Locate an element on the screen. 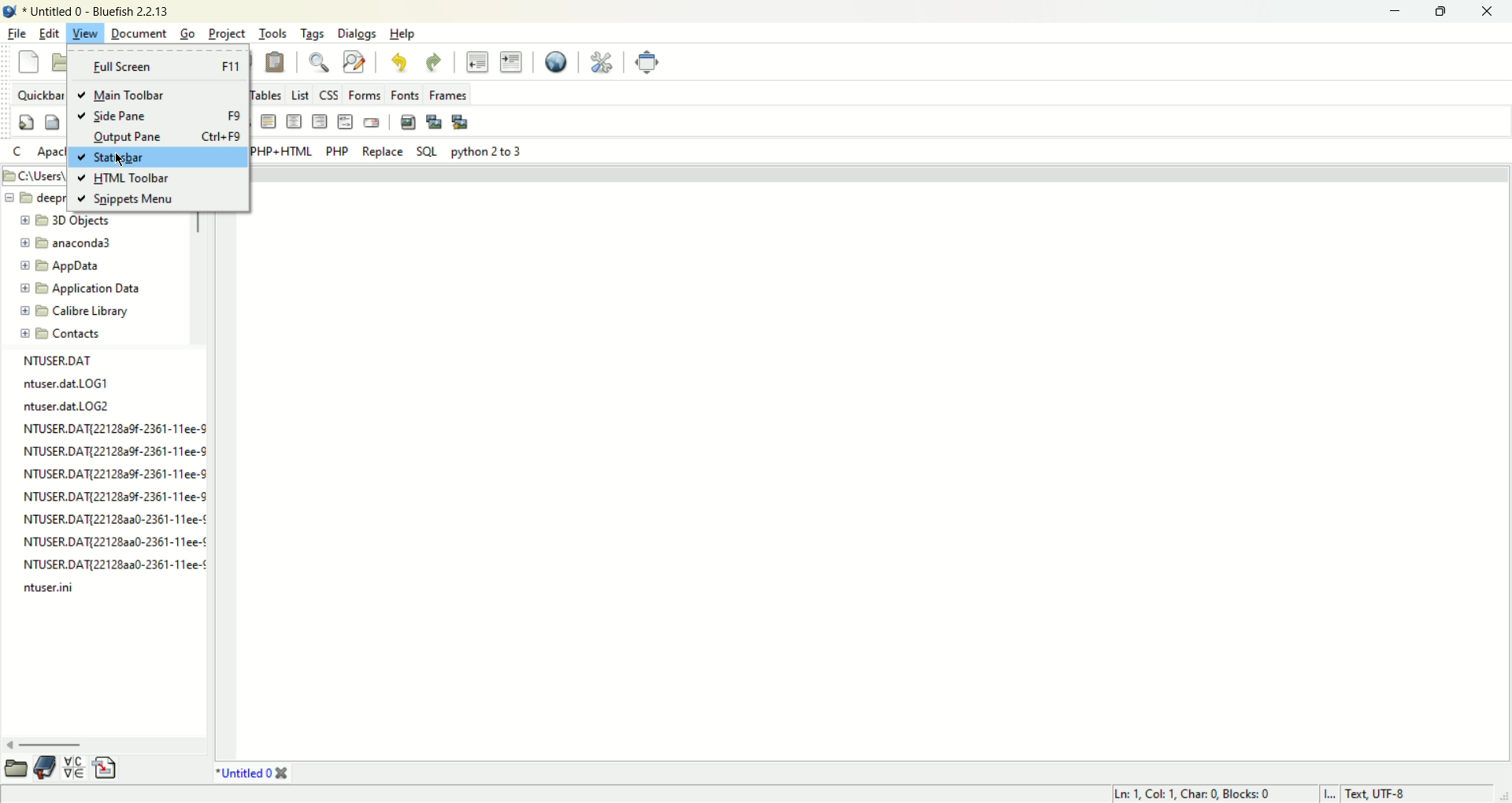  horizontal rule is located at coordinates (266, 121).